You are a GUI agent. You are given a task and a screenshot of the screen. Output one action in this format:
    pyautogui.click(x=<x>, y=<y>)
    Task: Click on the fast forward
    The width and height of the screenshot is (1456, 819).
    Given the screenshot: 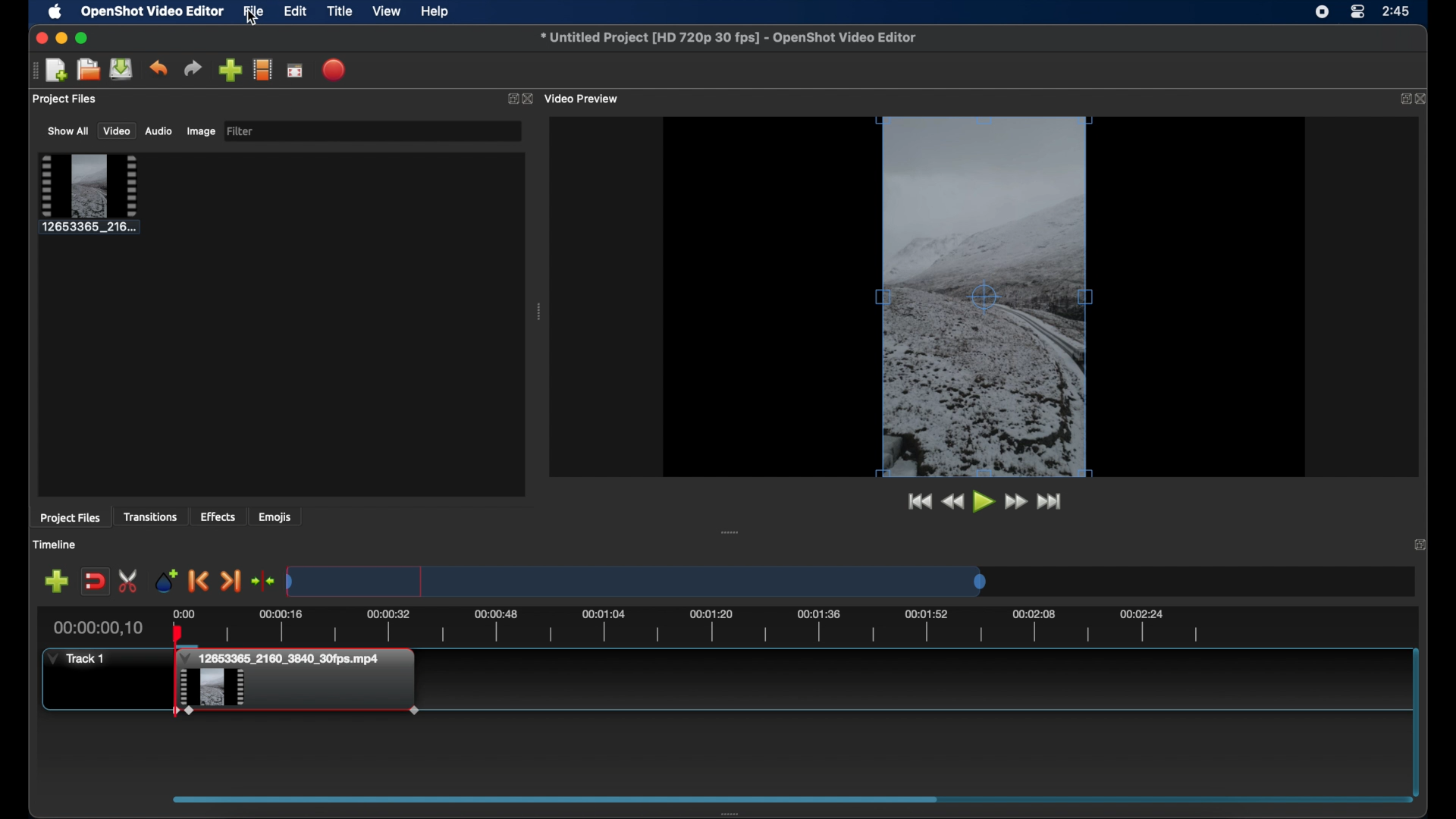 What is the action you would take?
    pyautogui.click(x=1016, y=501)
    